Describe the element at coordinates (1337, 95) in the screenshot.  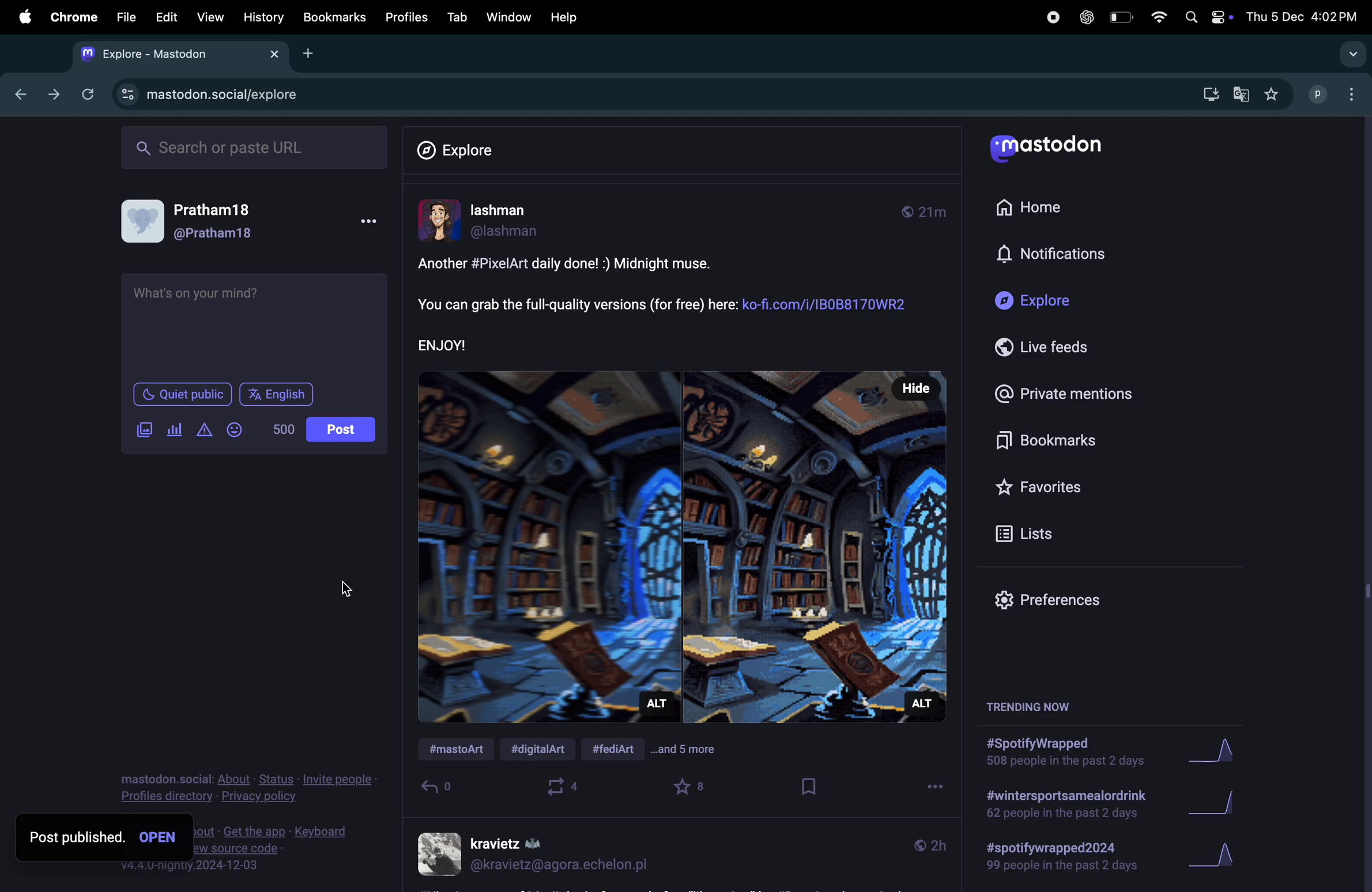
I see `profile ` at that location.